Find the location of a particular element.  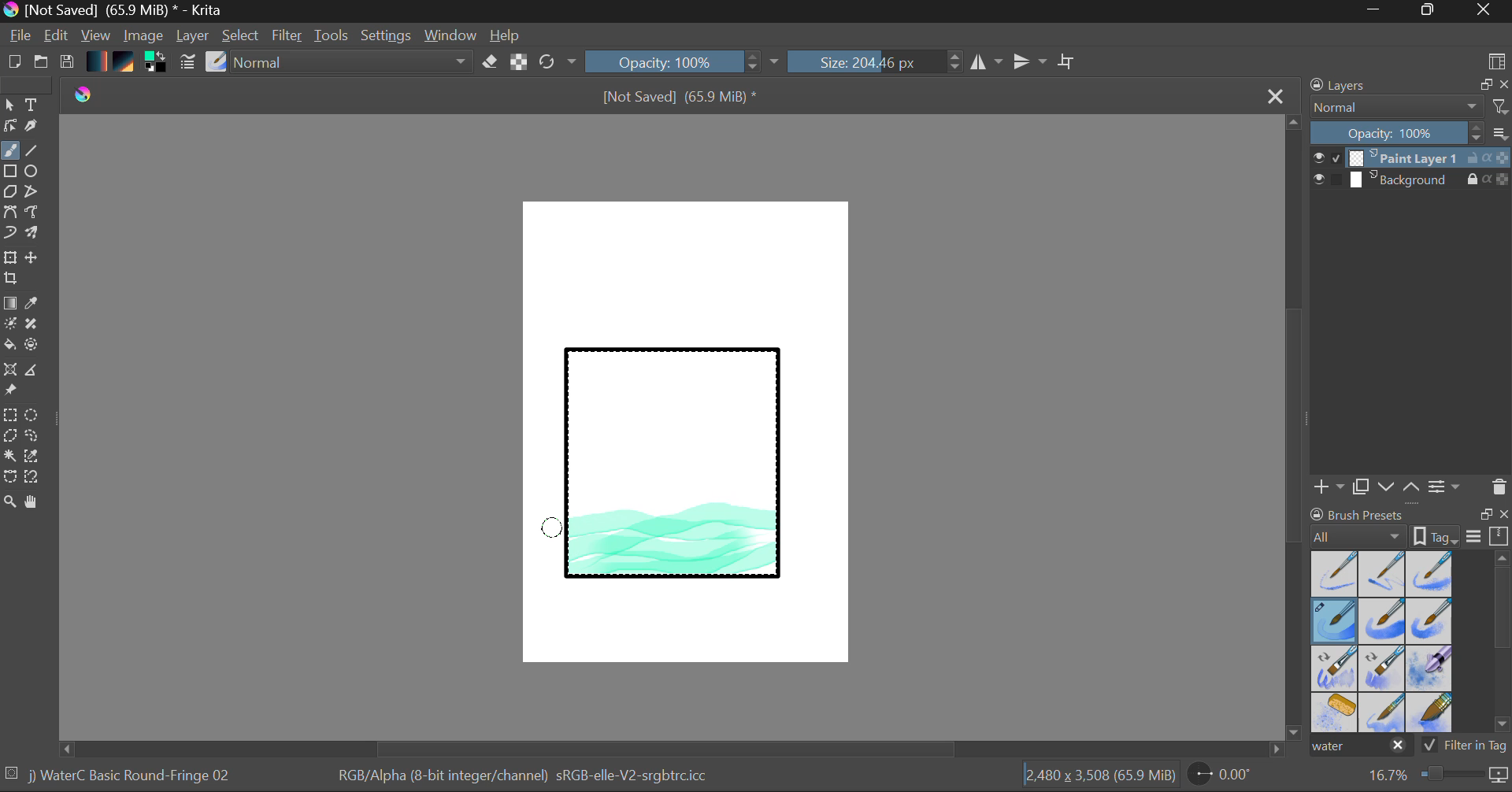

Help is located at coordinates (506, 35).